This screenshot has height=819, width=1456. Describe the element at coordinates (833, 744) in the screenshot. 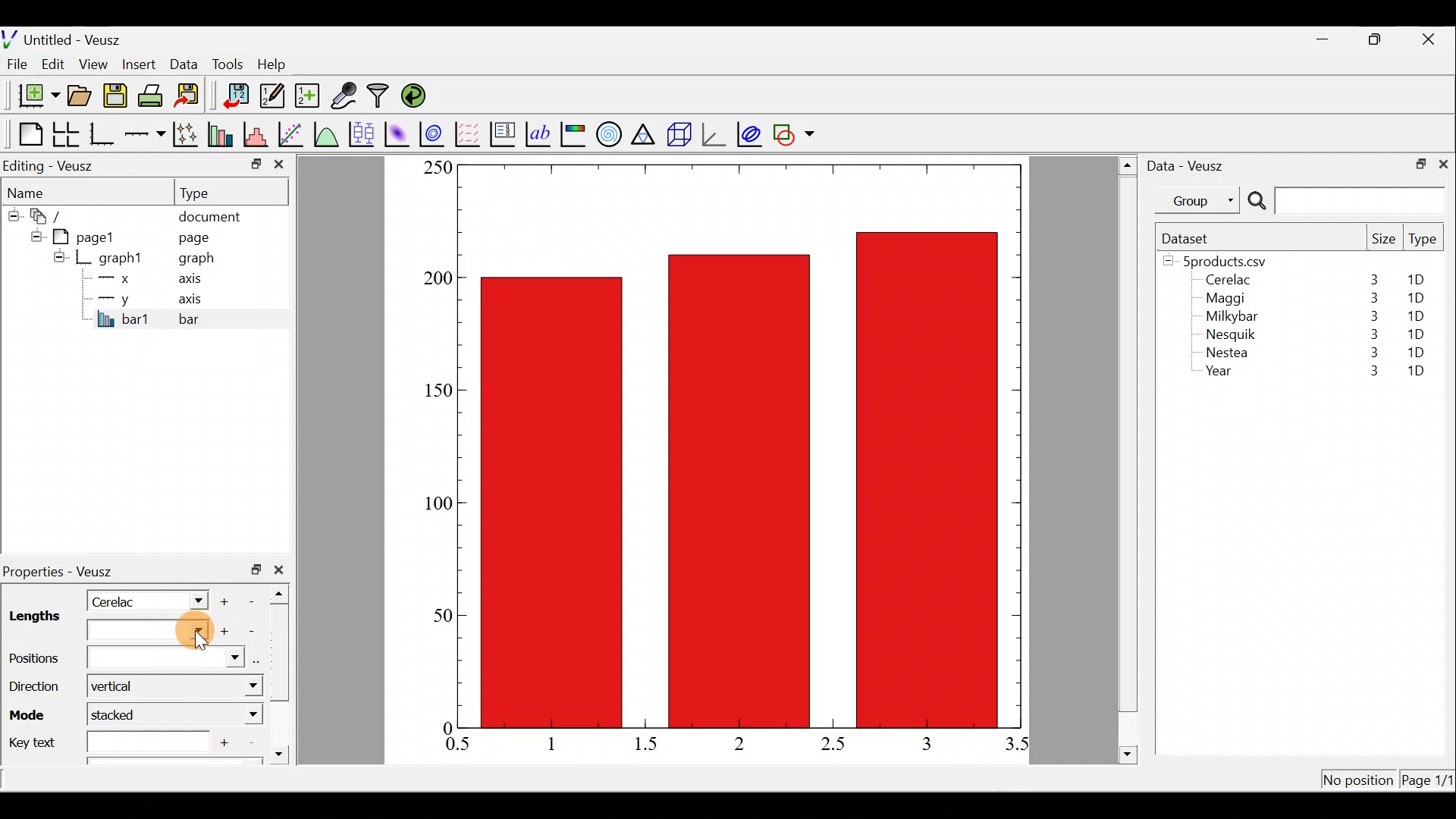

I see `2.5` at that location.